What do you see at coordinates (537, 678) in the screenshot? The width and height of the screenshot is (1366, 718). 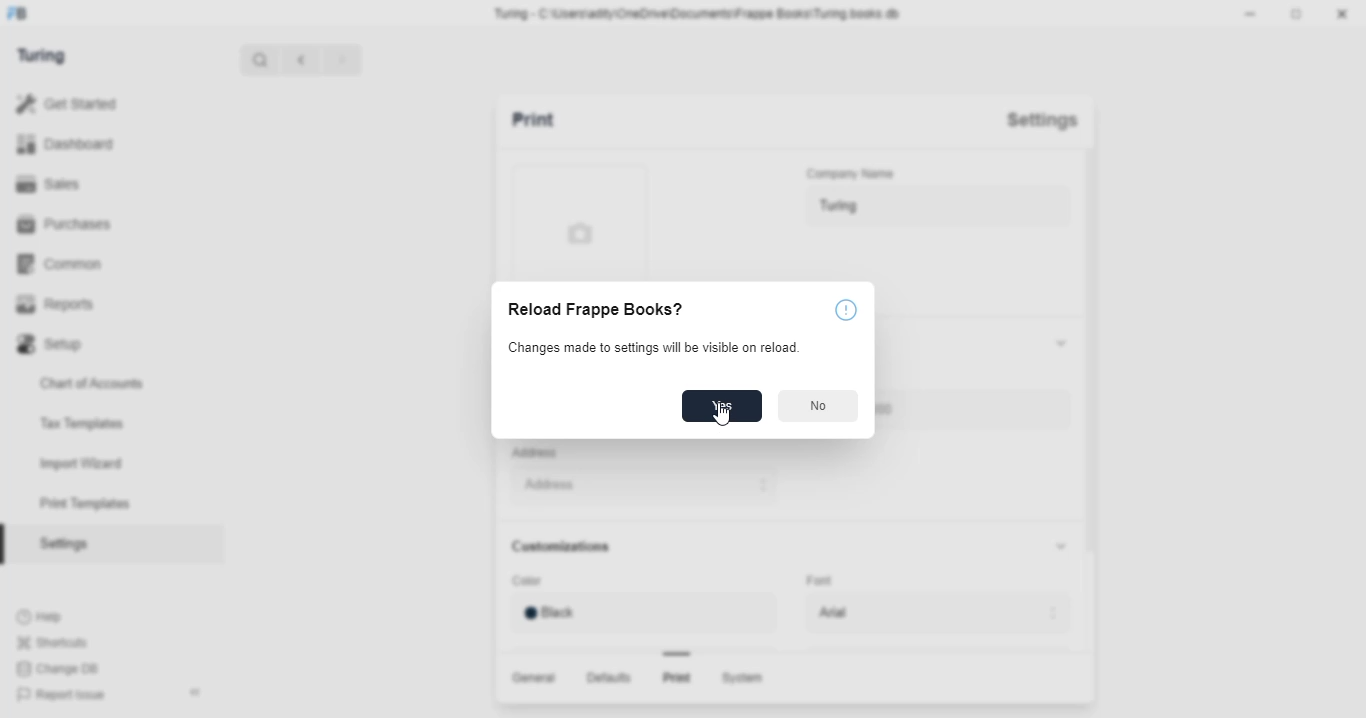 I see `General` at bounding box center [537, 678].